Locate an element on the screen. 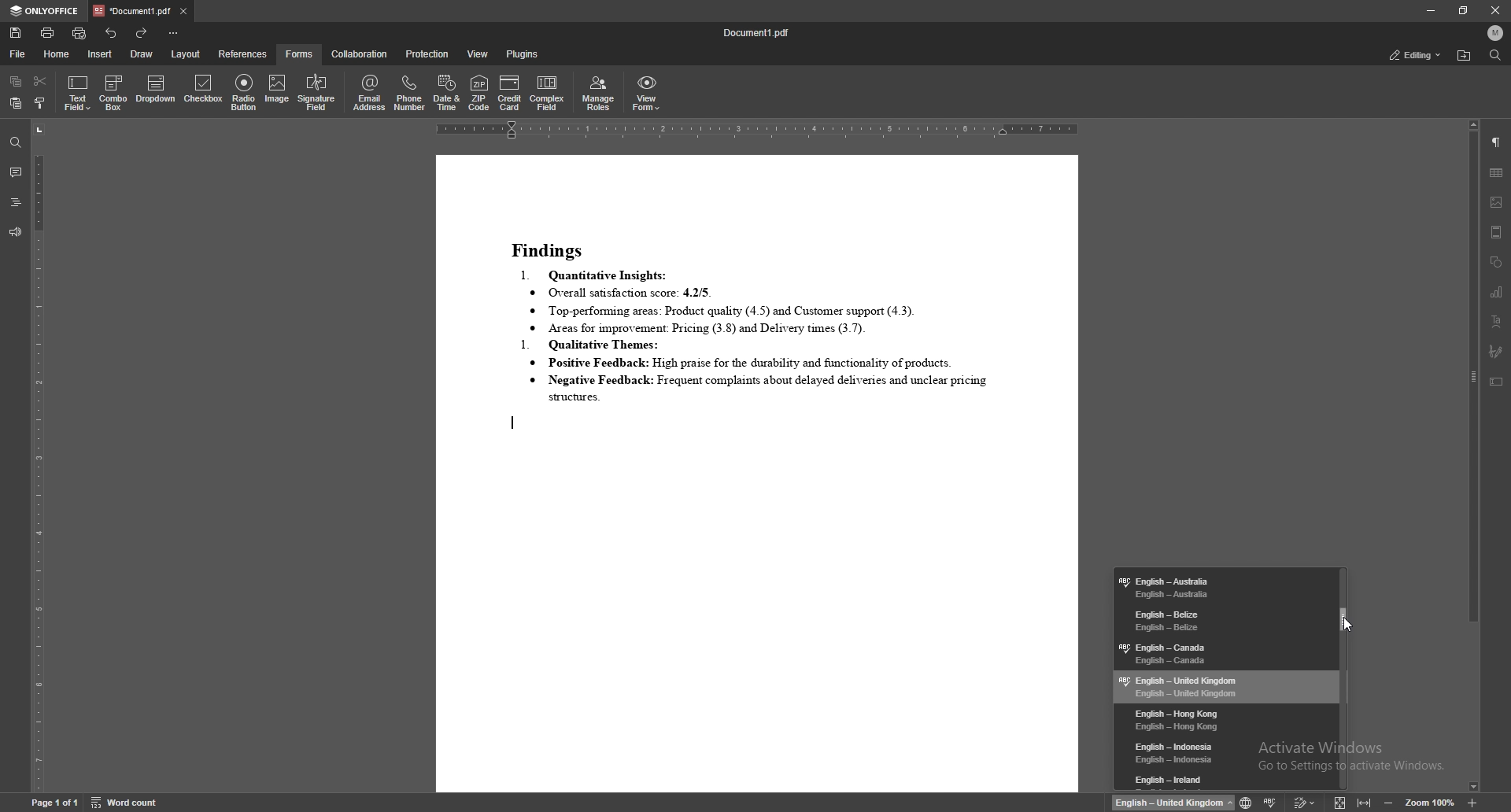  shapes is located at coordinates (1497, 263).